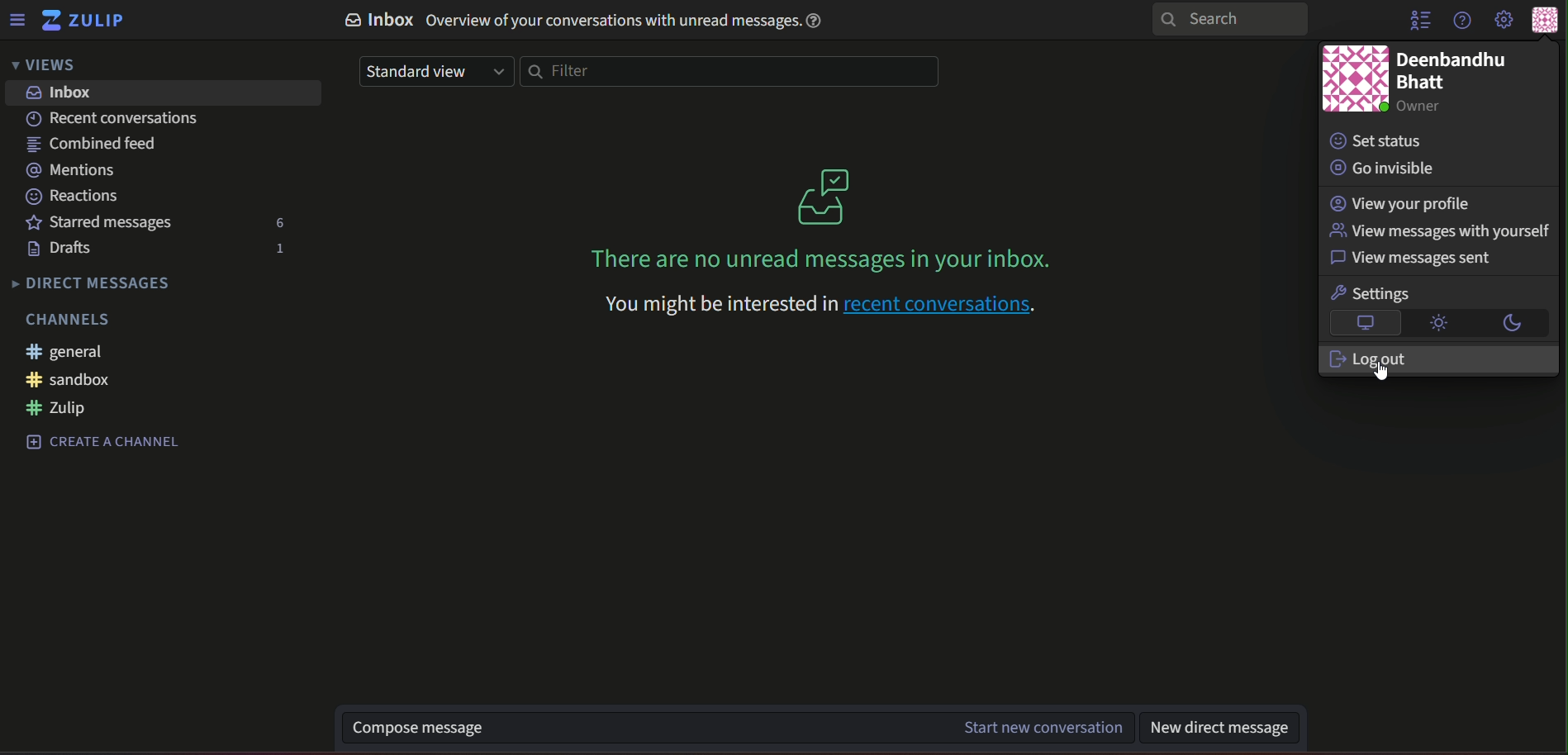  Describe the element at coordinates (67, 249) in the screenshot. I see `text` at that location.